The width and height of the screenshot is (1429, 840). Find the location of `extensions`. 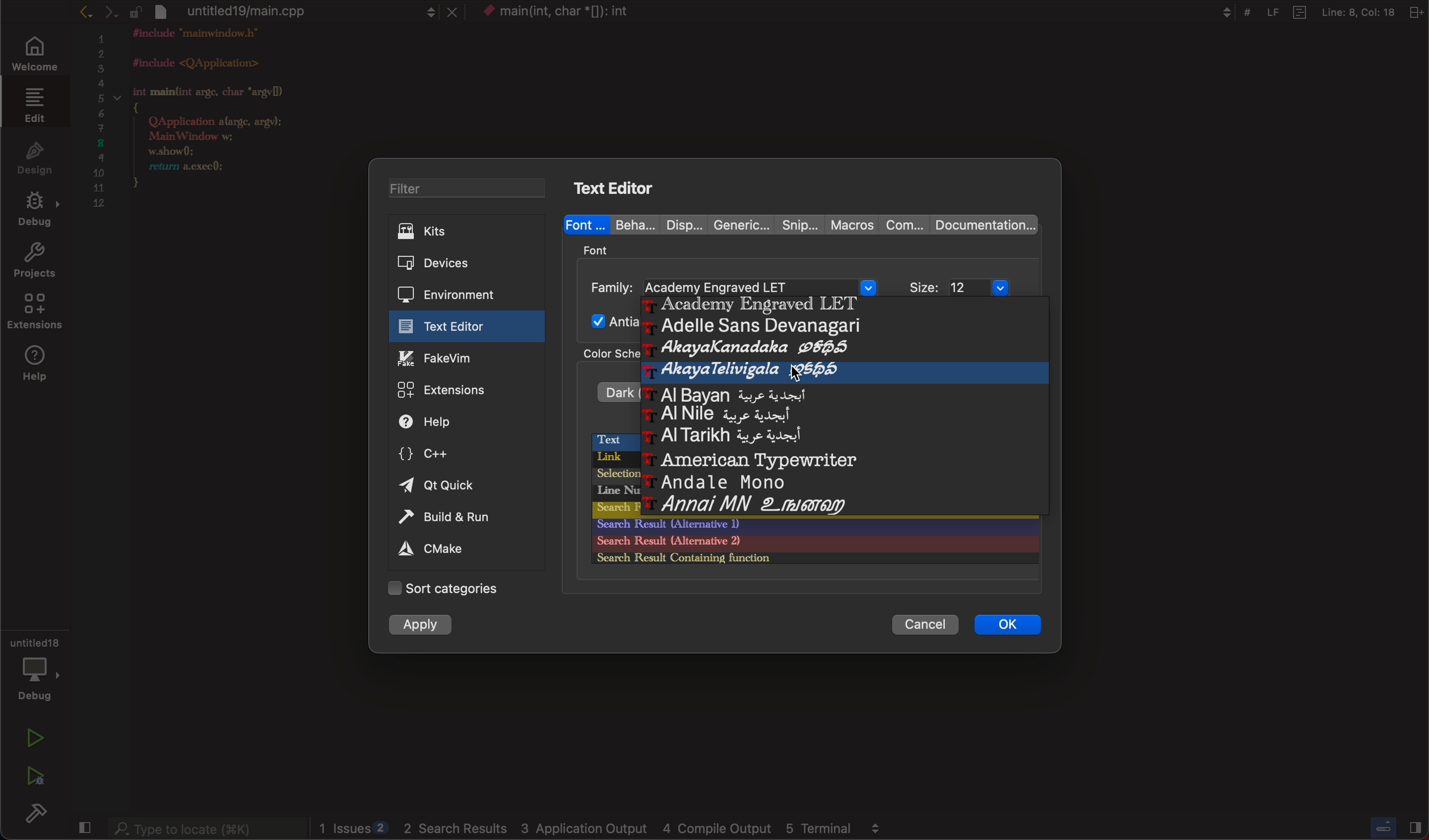

extensions is located at coordinates (33, 314).